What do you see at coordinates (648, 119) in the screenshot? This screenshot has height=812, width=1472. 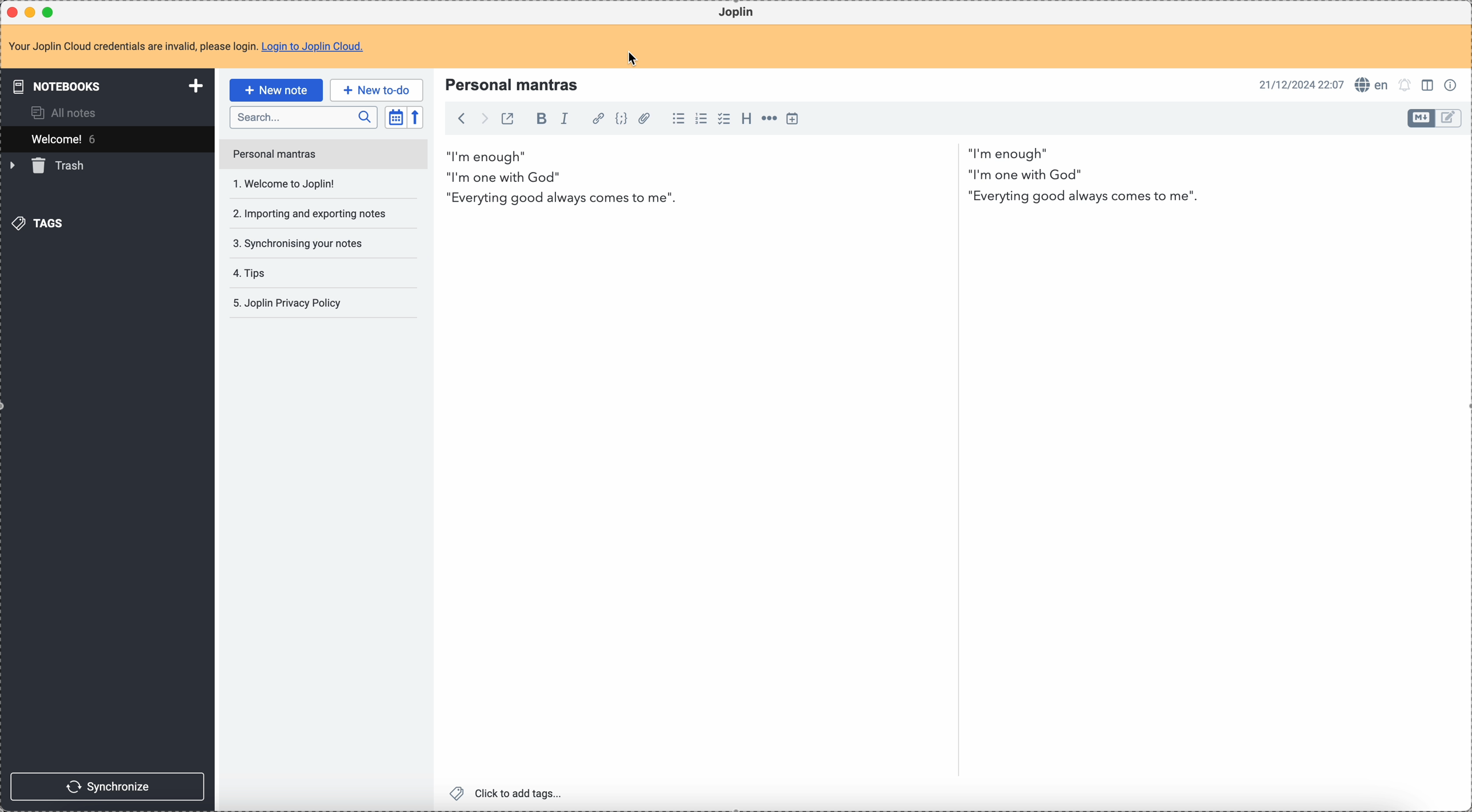 I see `attach file` at bounding box center [648, 119].